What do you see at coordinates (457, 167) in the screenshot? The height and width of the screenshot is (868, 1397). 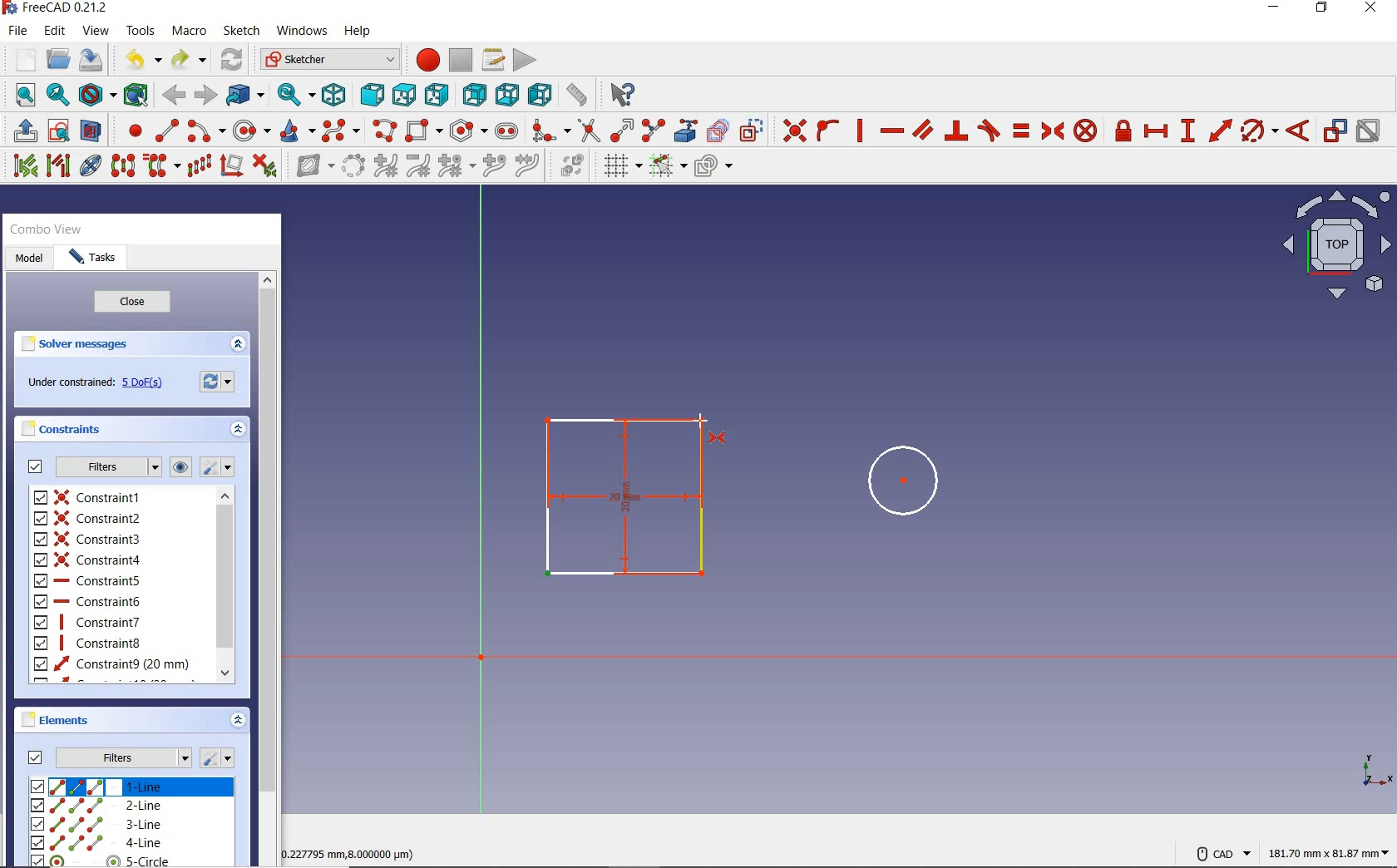 I see `modify knot multiplicity` at bounding box center [457, 167].